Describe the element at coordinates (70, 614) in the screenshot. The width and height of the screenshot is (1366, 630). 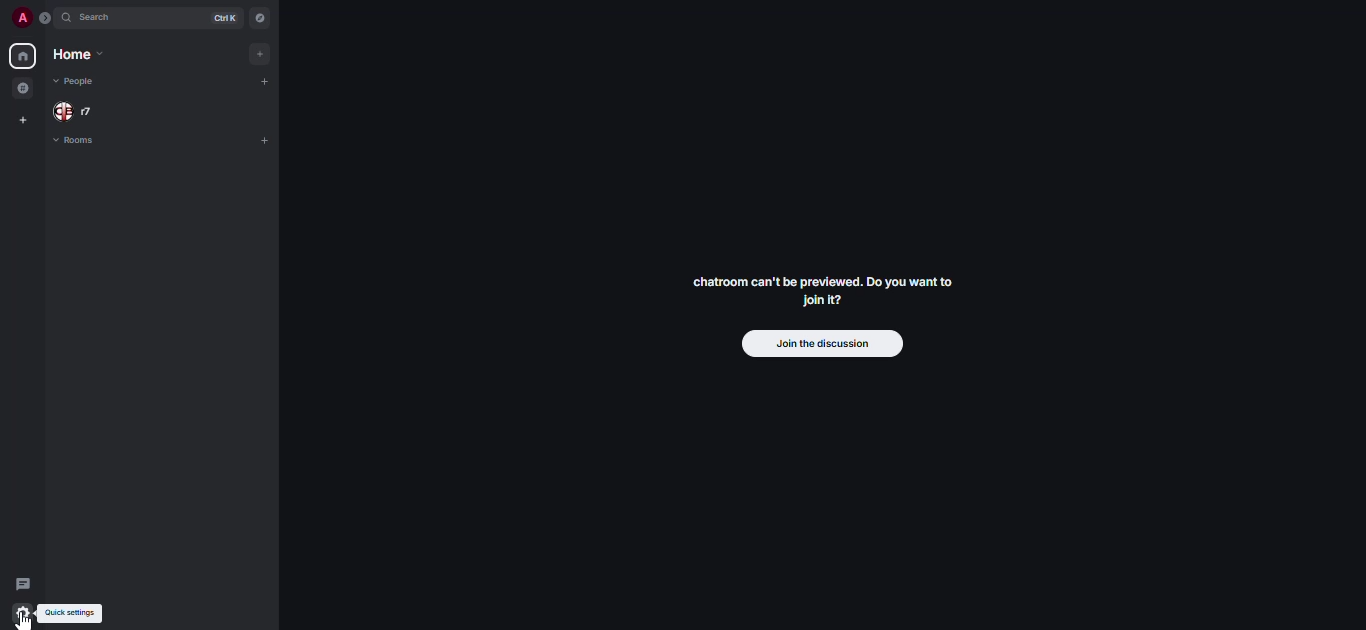
I see `quick settings` at that location.